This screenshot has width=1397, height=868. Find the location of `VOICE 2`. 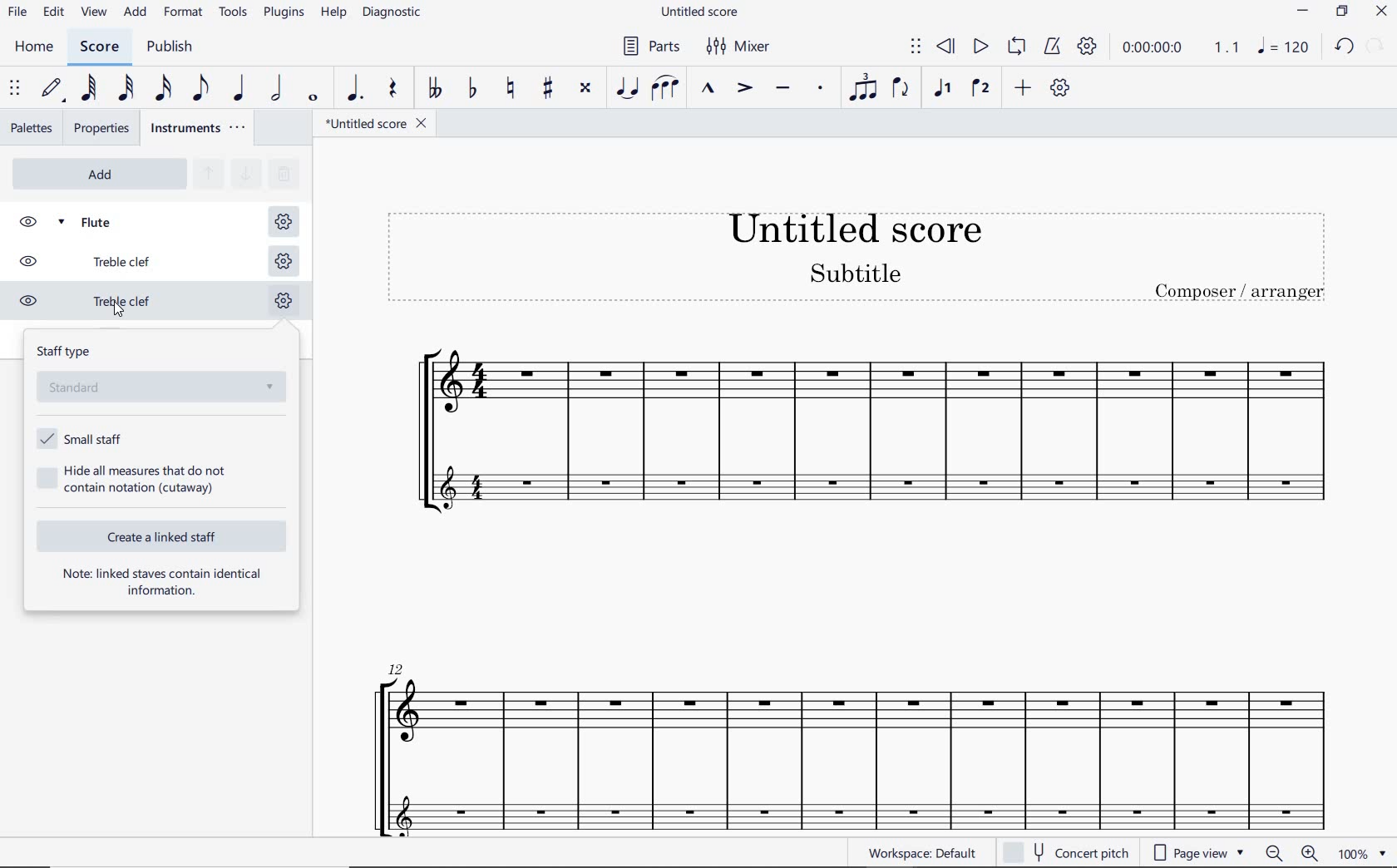

VOICE 2 is located at coordinates (980, 89).